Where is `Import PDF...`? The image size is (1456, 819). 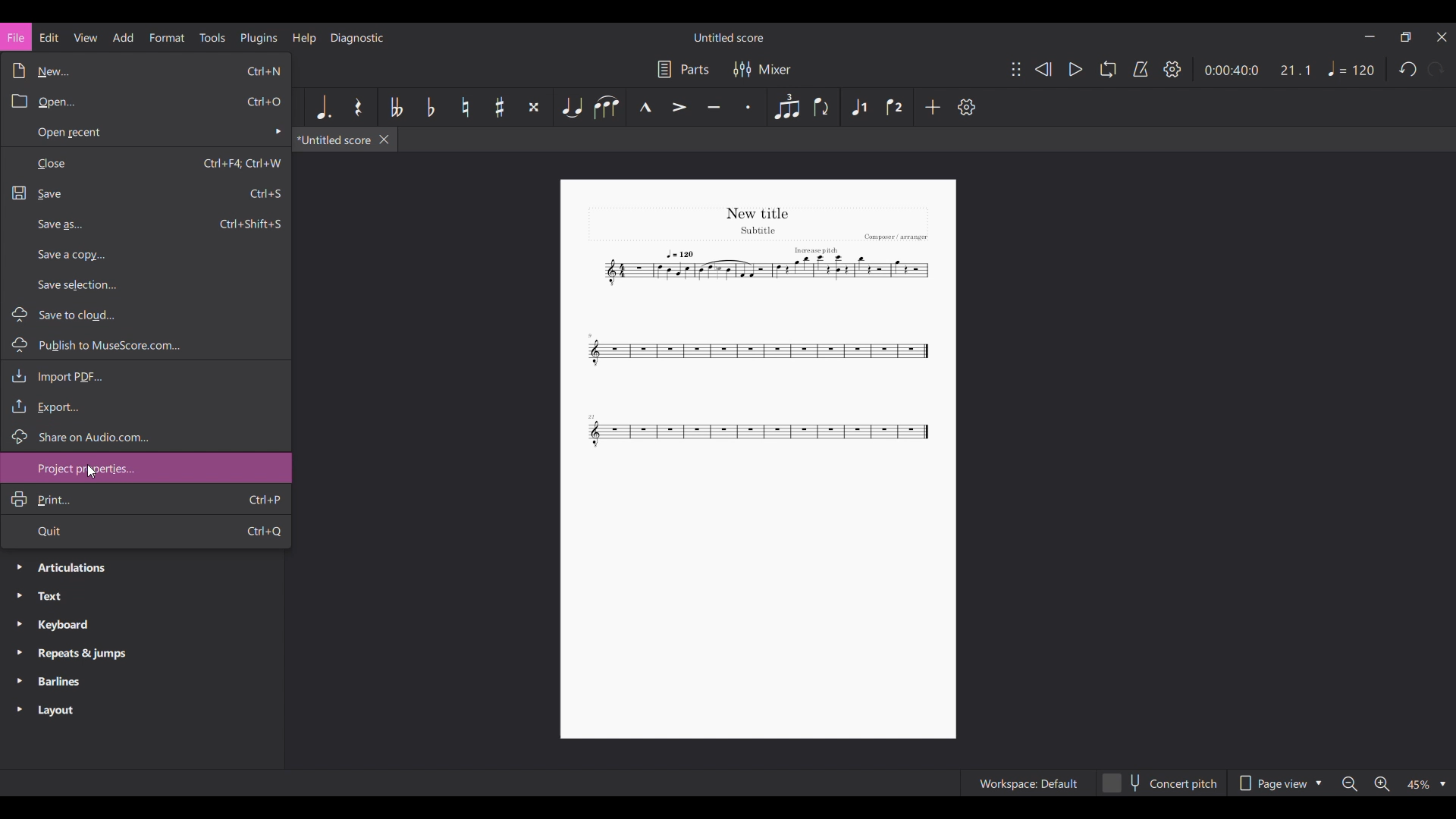
Import PDF... is located at coordinates (146, 375).